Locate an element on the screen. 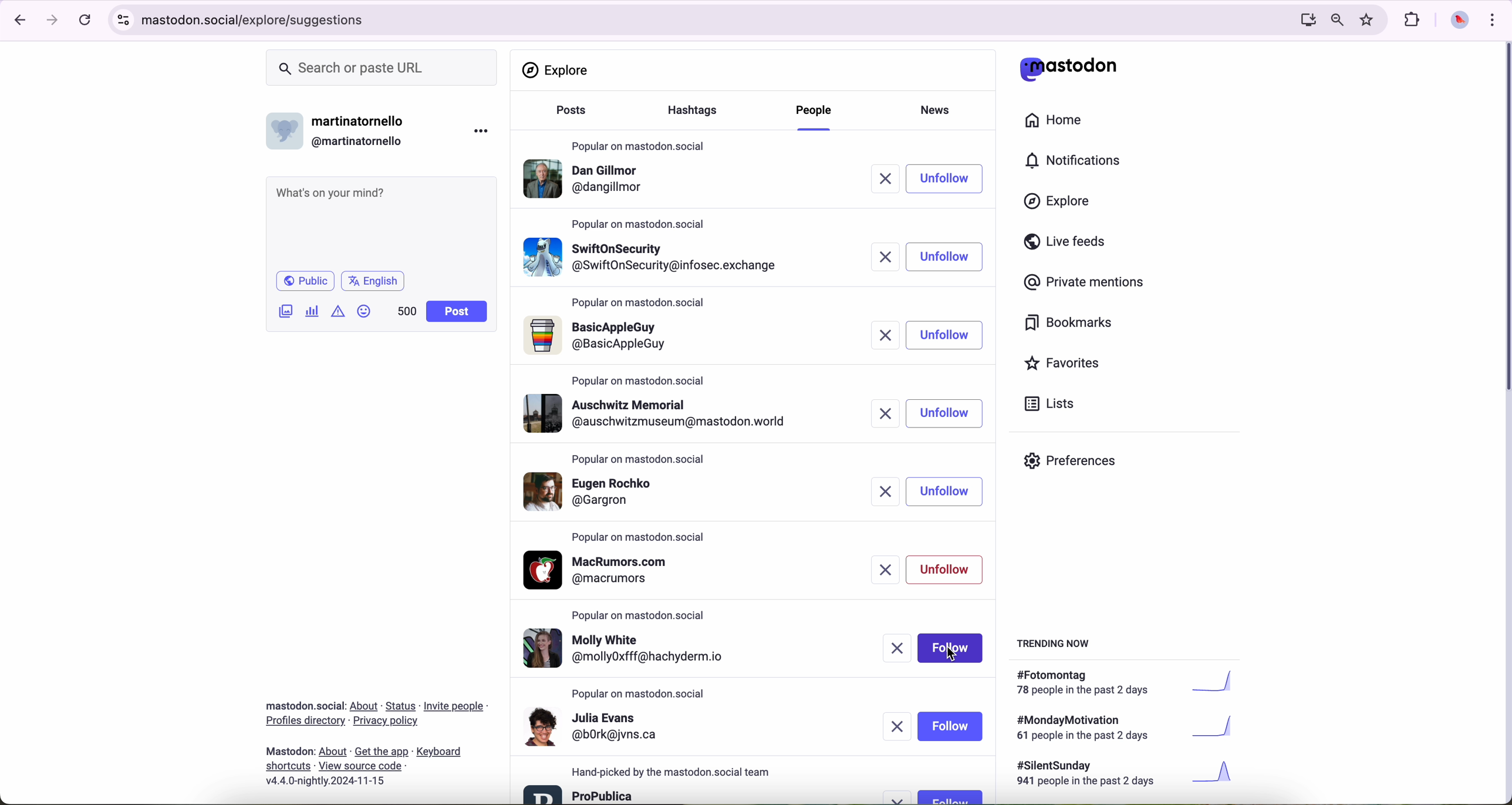 The width and height of the screenshot is (1512, 805). live feeds is located at coordinates (1069, 244).